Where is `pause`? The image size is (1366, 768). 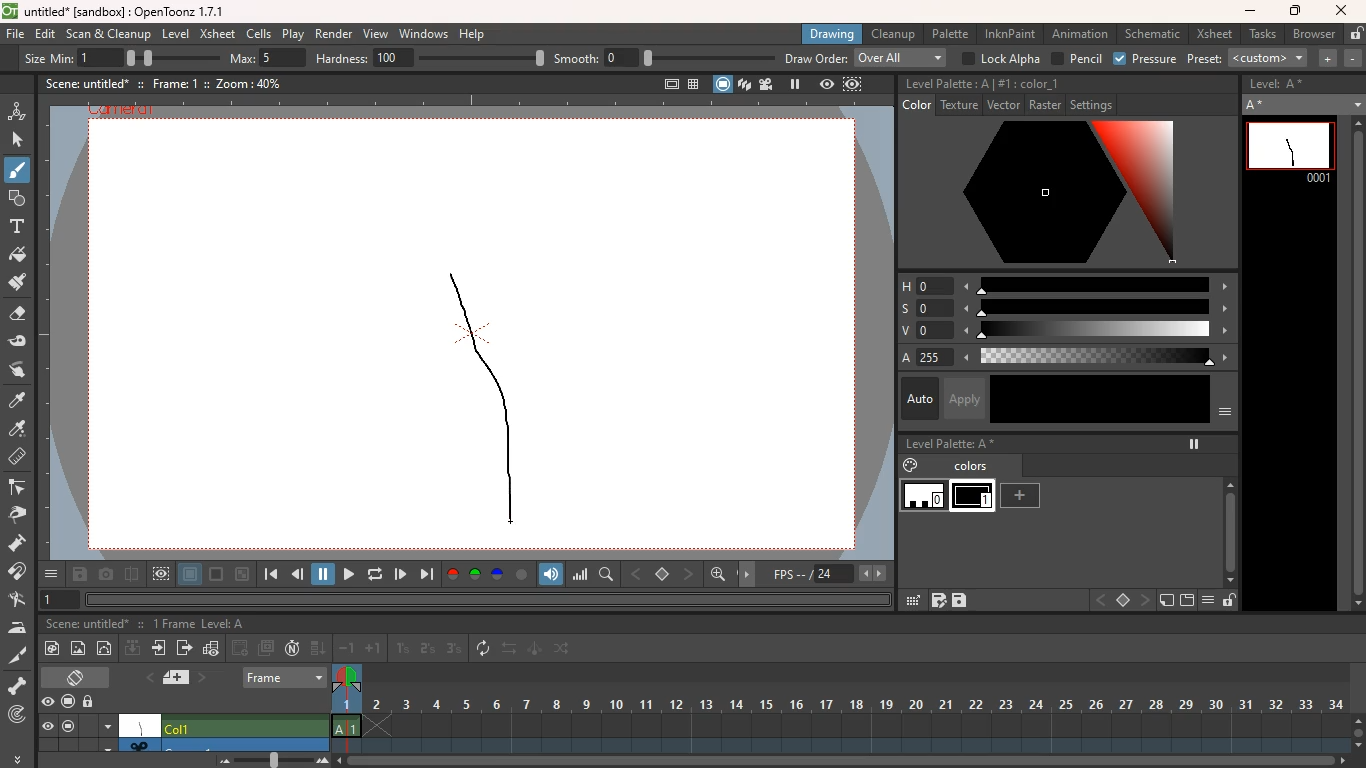 pause is located at coordinates (324, 573).